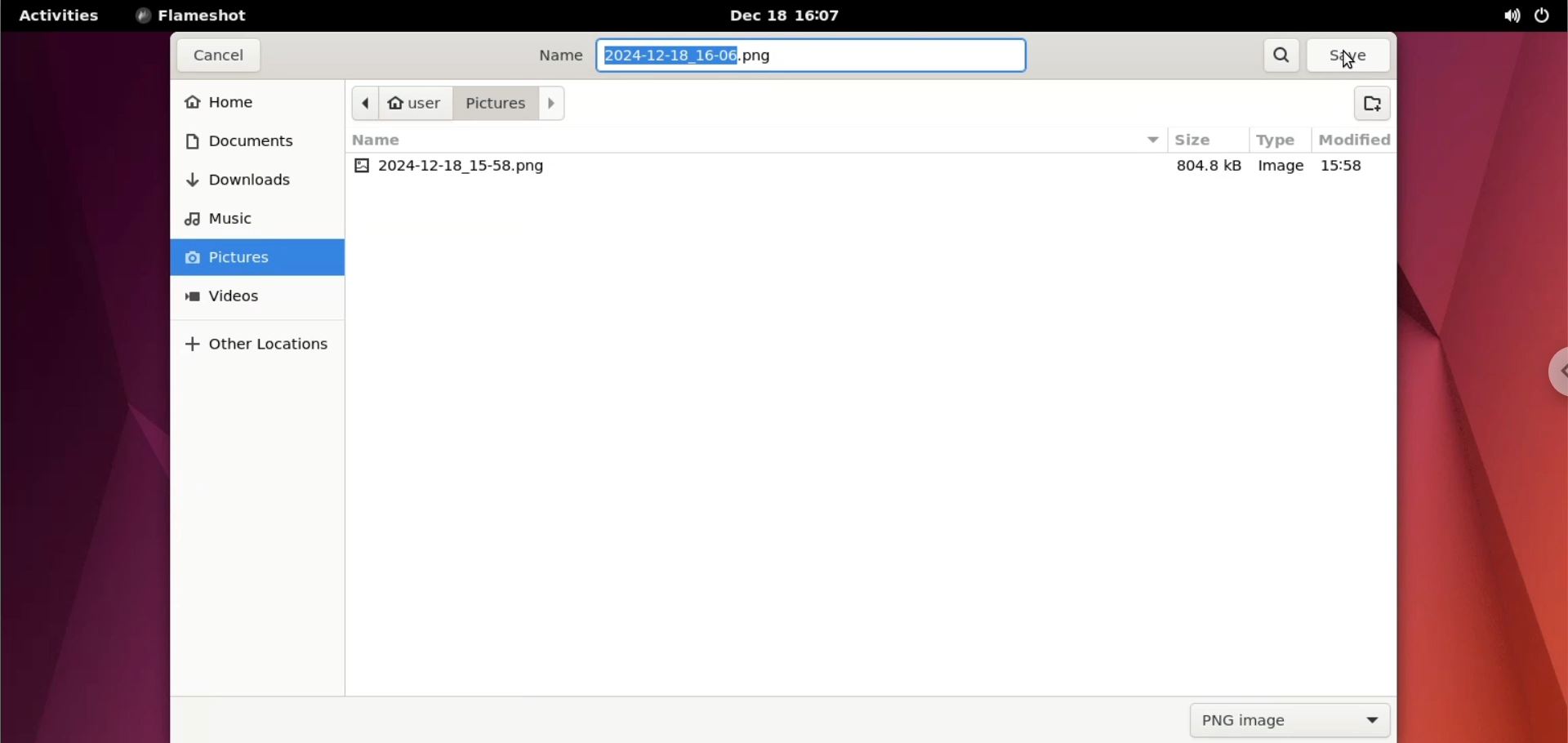 This screenshot has height=743, width=1568. I want to click on date and time, so click(796, 16).